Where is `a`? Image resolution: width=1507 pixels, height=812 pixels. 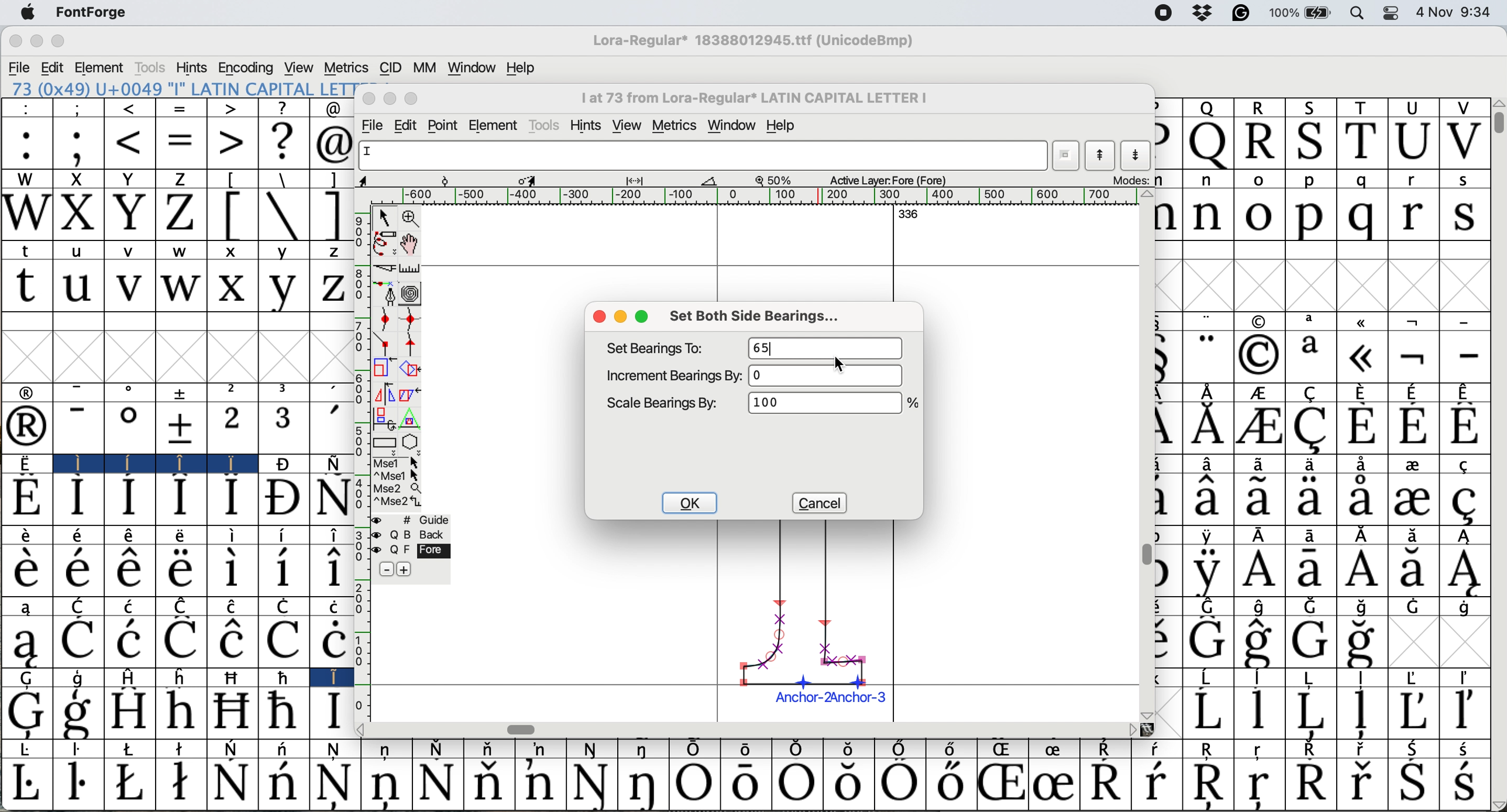
a is located at coordinates (1315, 322).